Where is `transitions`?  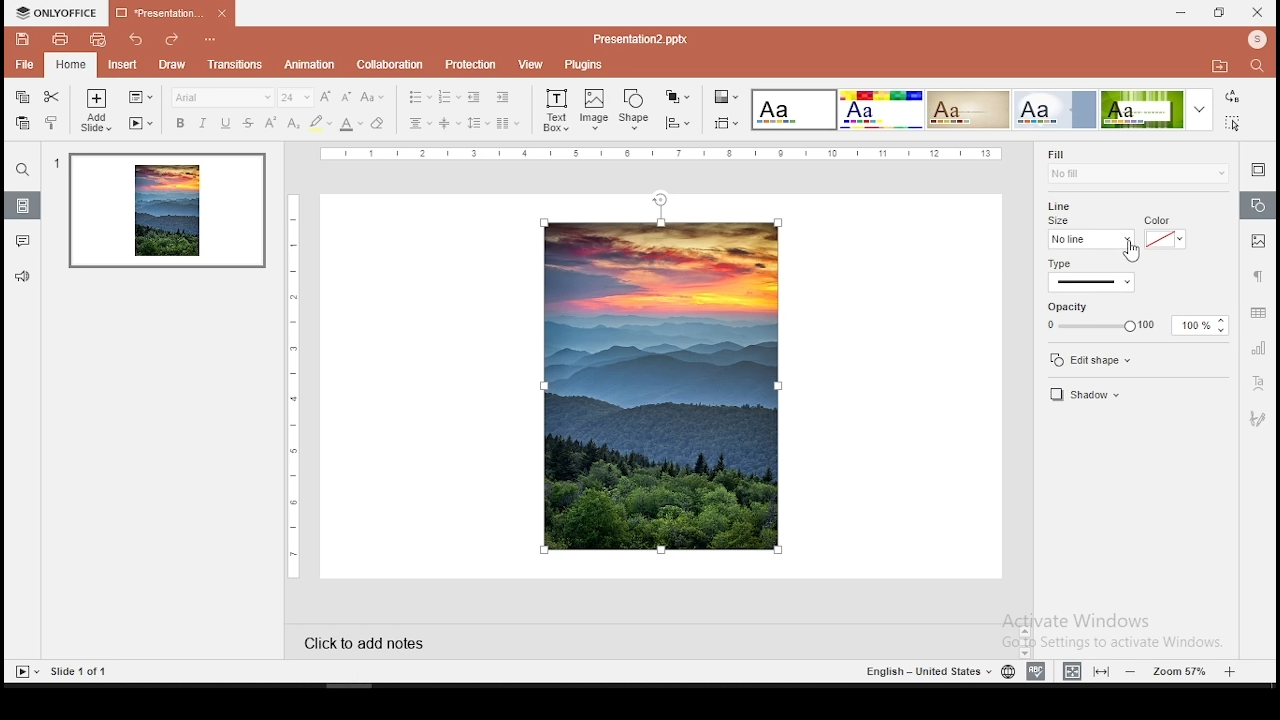
transitions is located at coordinates (235, 66).